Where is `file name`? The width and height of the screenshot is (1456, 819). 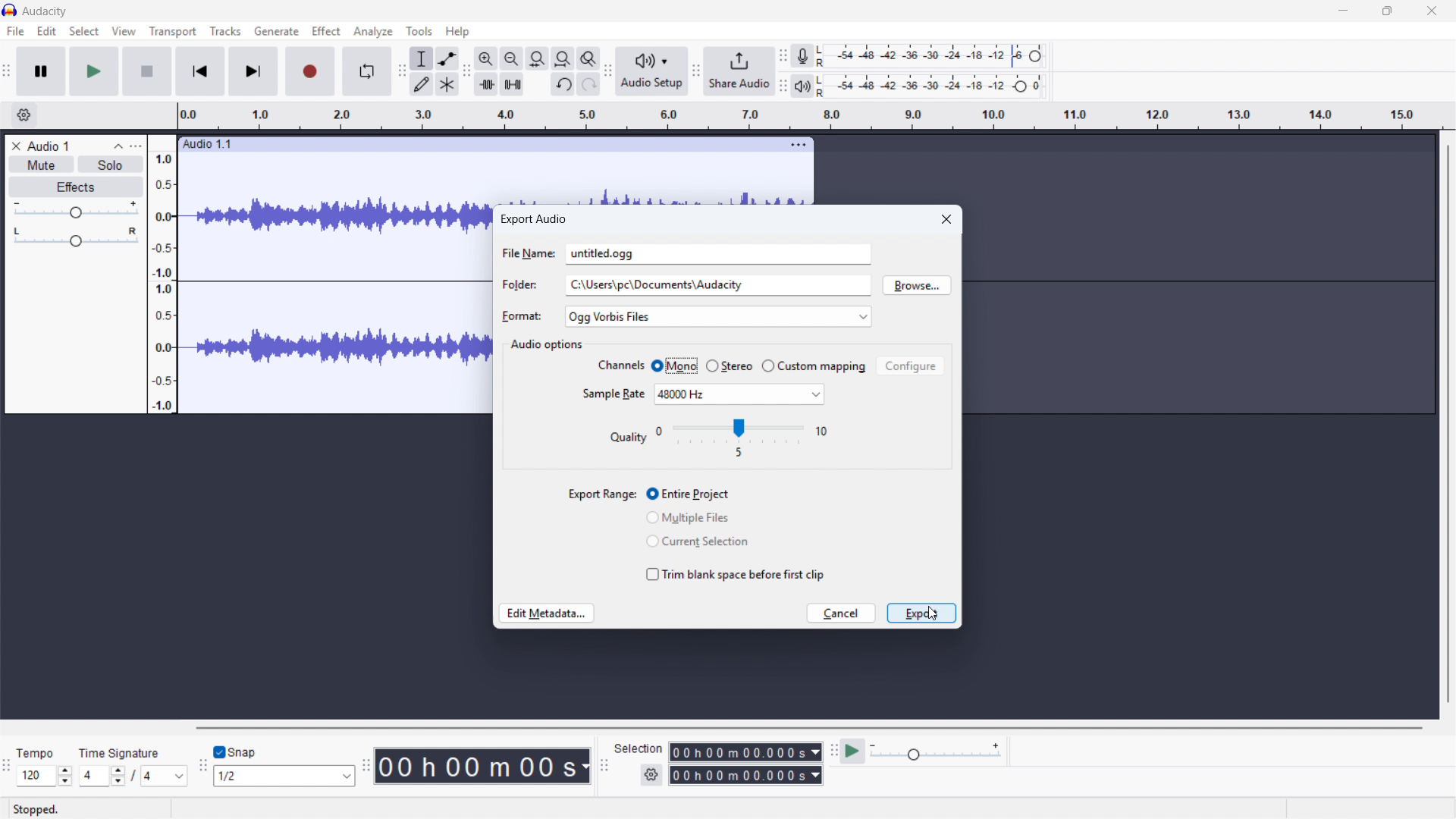 file name is located at coordinates (529, 256).